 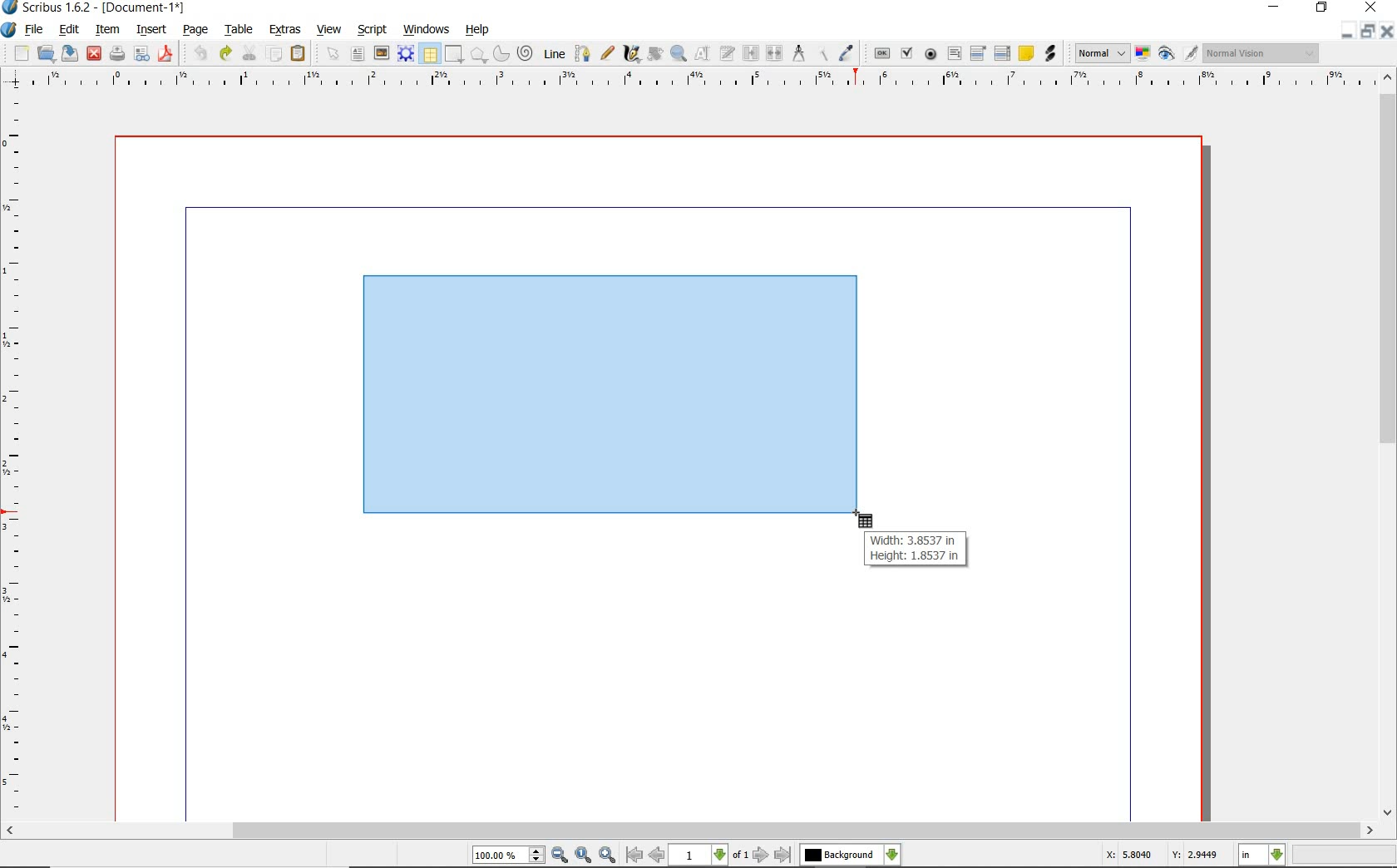 I want to click on insert, so click(x=150, y=31).